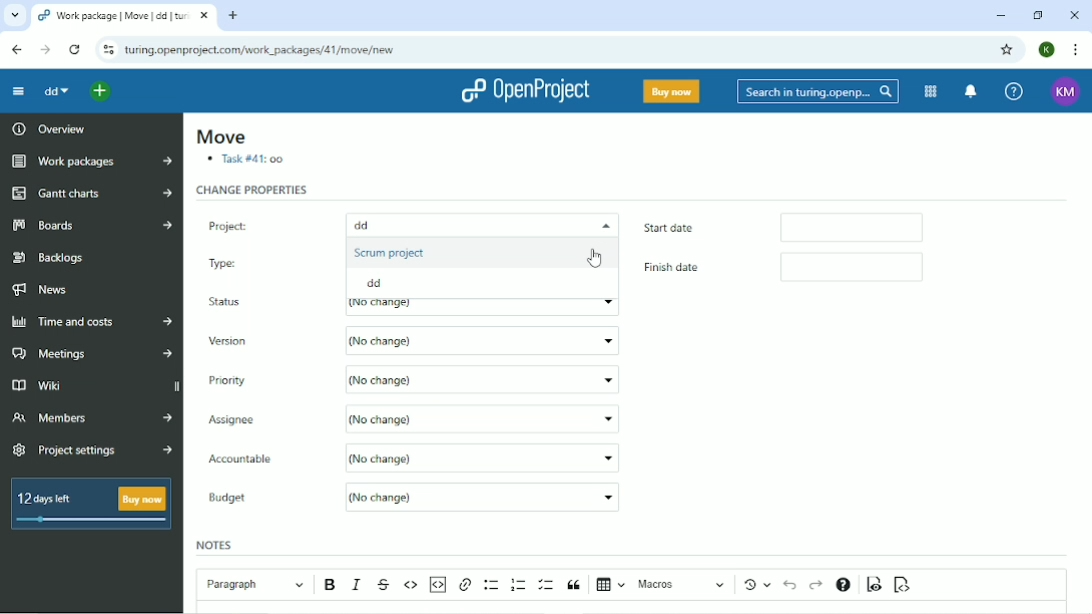 Image resolution: width=1092 pixels, height=614 pixels. I want to click on Members, so click(89, 421).